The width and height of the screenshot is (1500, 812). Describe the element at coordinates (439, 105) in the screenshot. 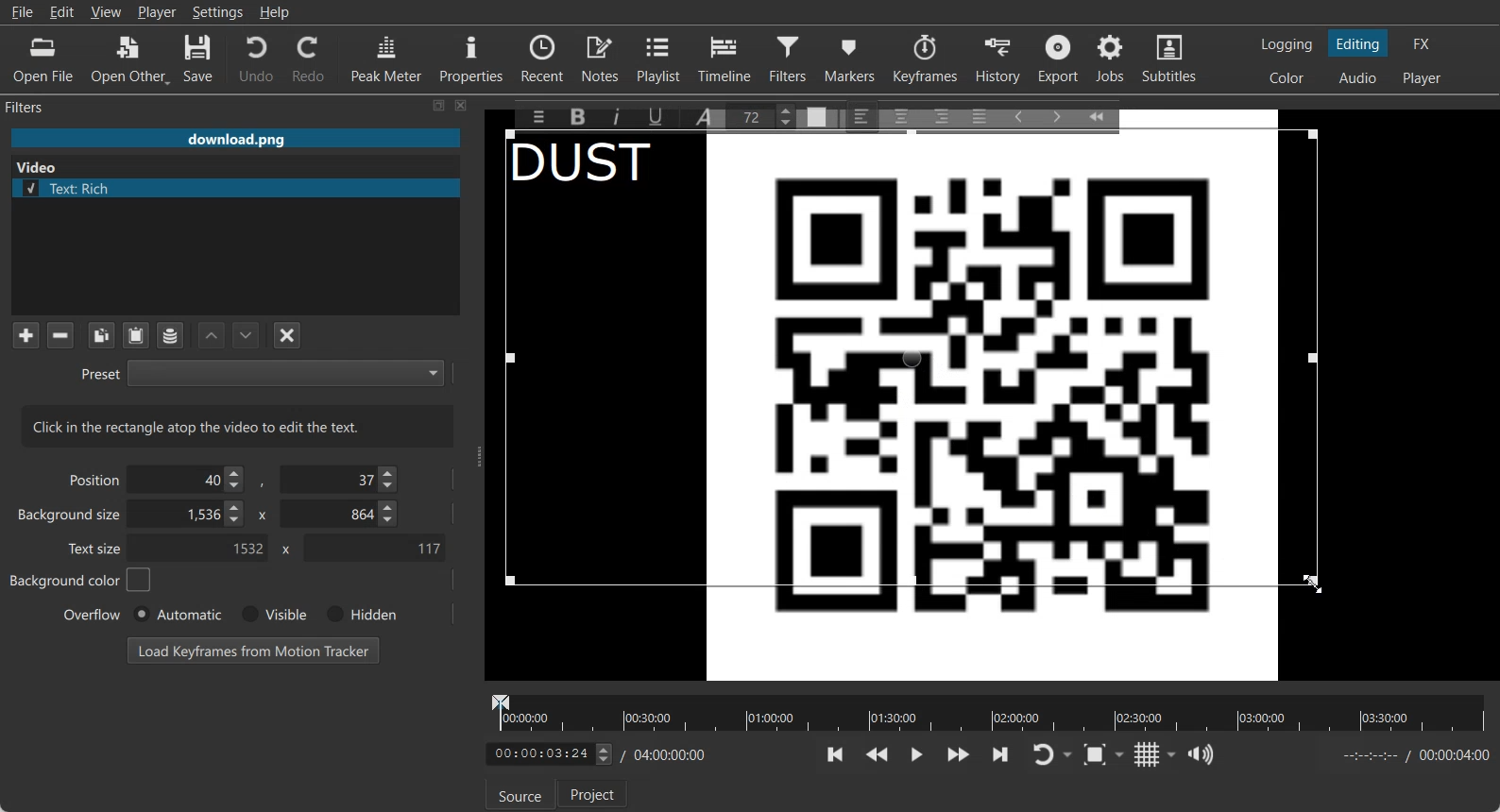

I see `Maximize` at that location.